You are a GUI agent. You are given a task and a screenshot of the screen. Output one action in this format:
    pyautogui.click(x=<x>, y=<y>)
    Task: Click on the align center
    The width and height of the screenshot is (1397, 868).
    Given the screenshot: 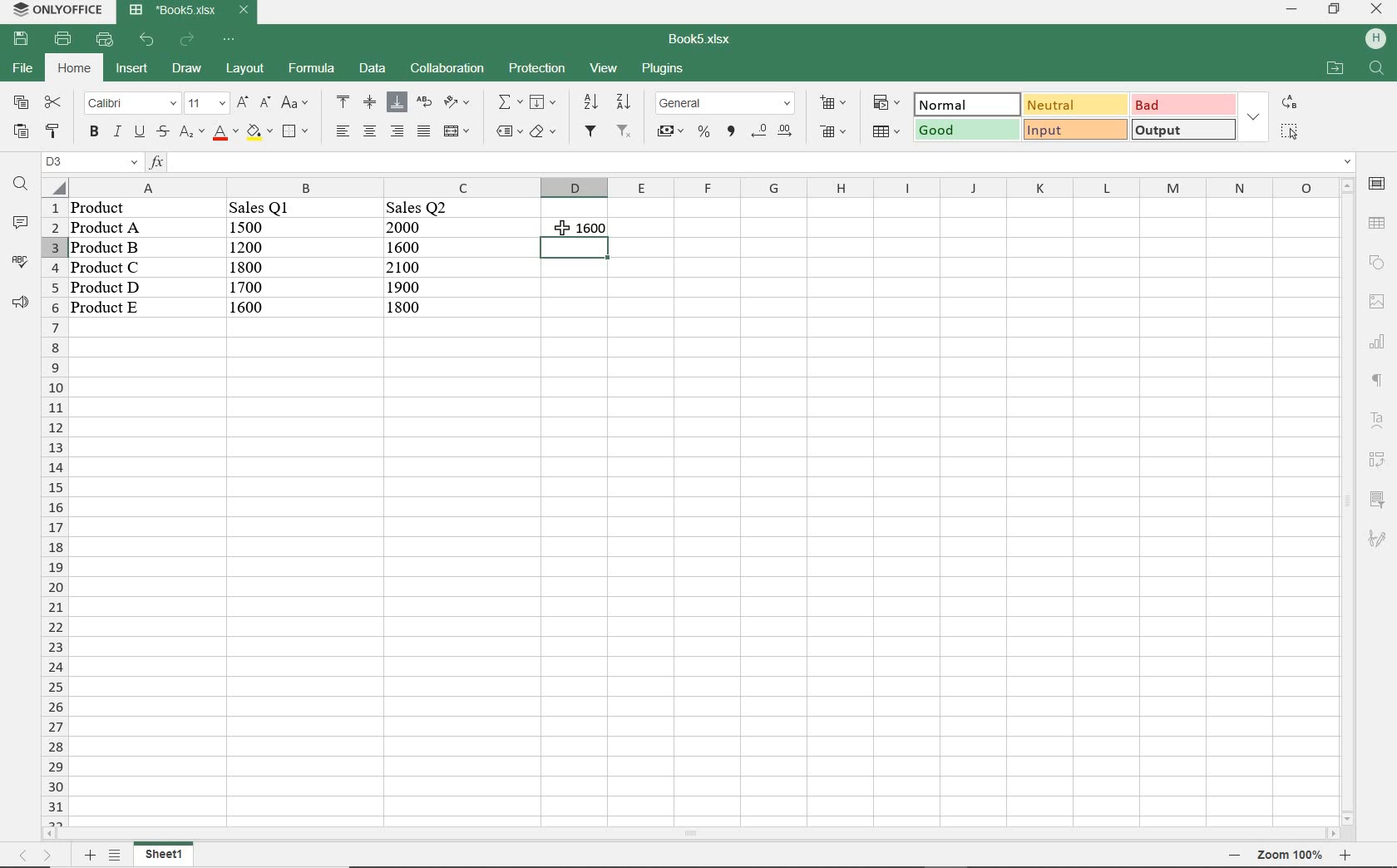 What is the action you would take?
    pyautogui.click(x=369, y=131)
    